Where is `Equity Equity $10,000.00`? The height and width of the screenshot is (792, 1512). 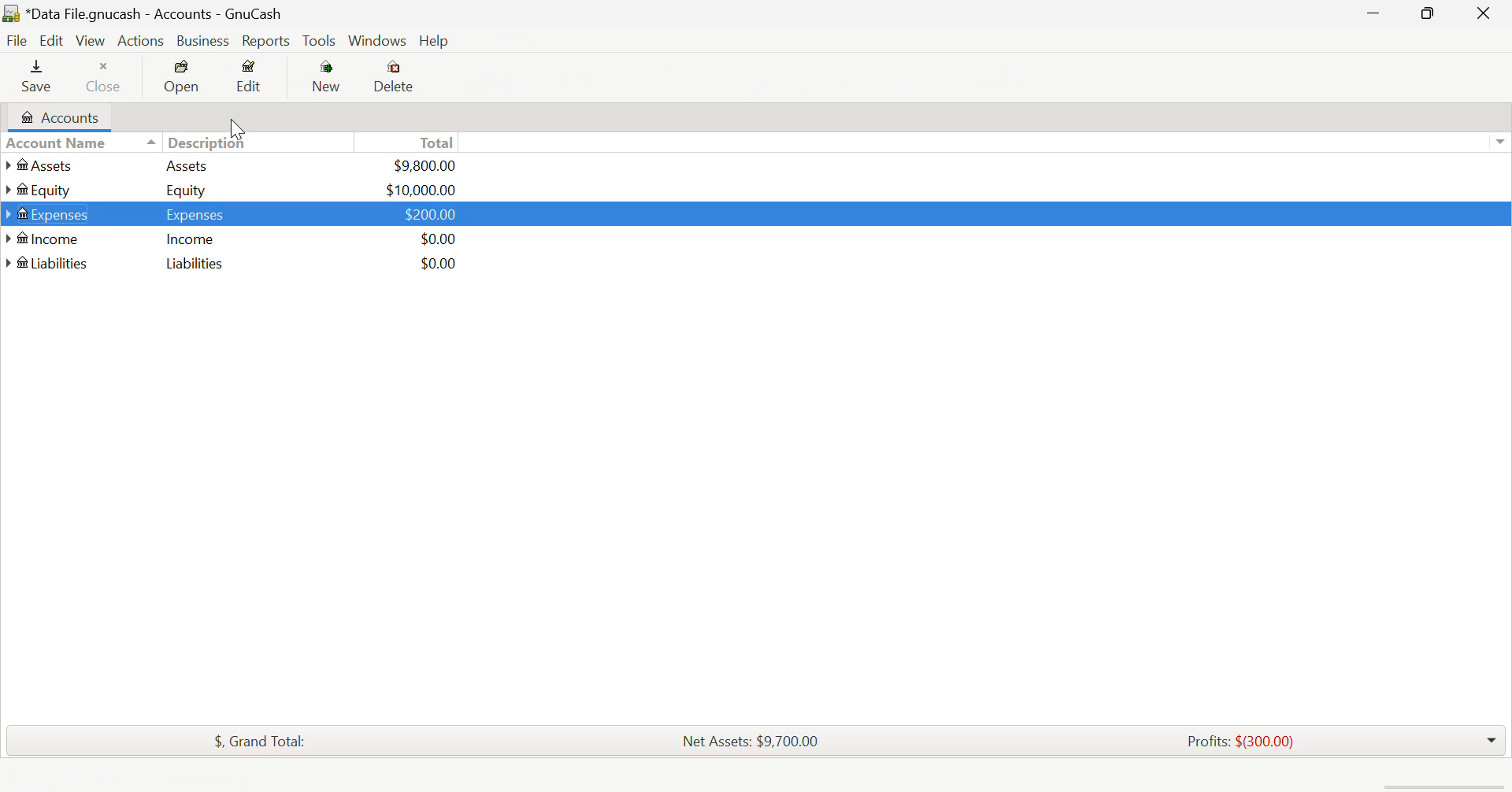
Equity Equity $10,000.00 is located at coordinates (232, 188).